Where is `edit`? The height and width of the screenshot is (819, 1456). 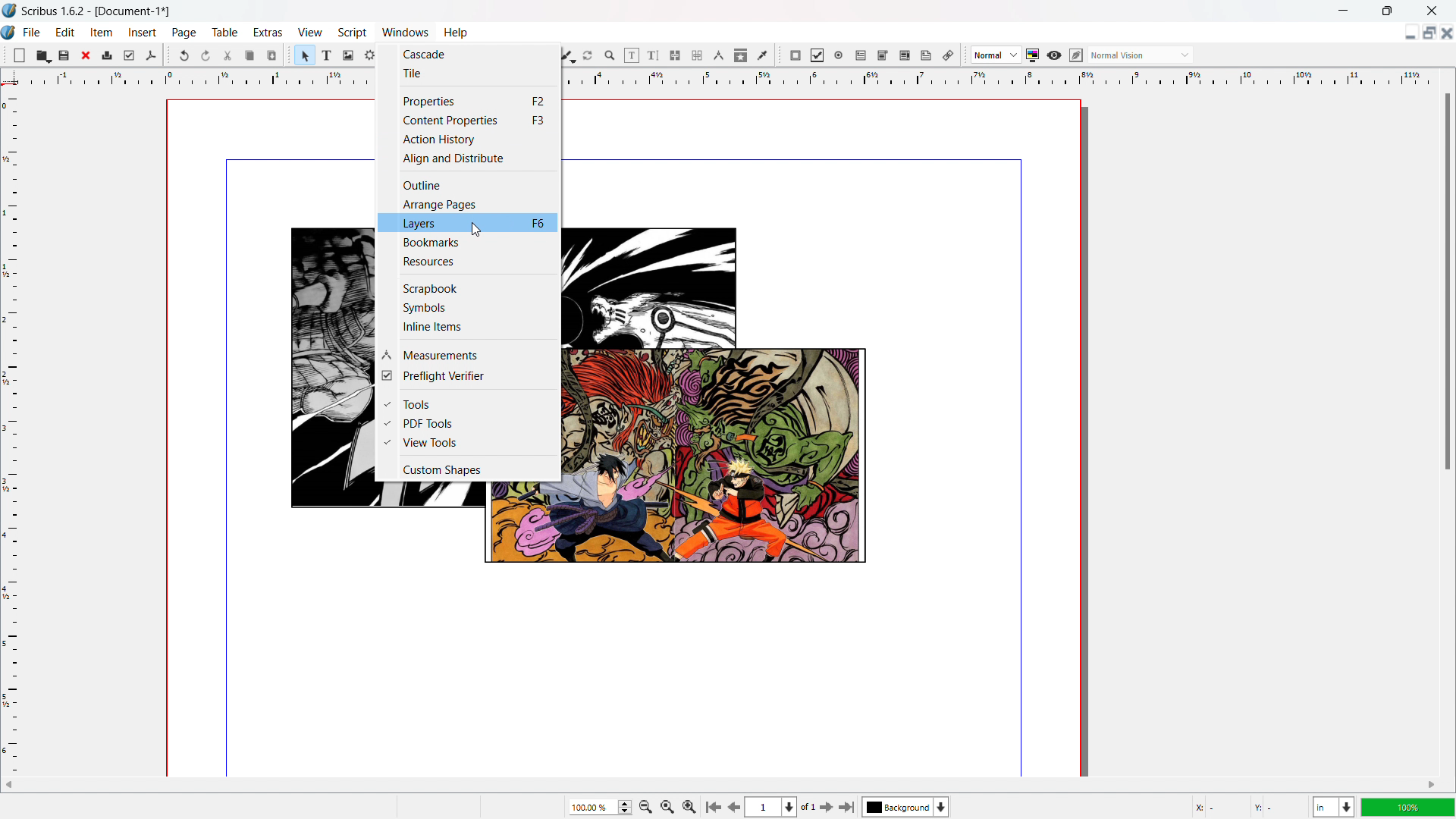 edit is located at coordinates (67, 33).